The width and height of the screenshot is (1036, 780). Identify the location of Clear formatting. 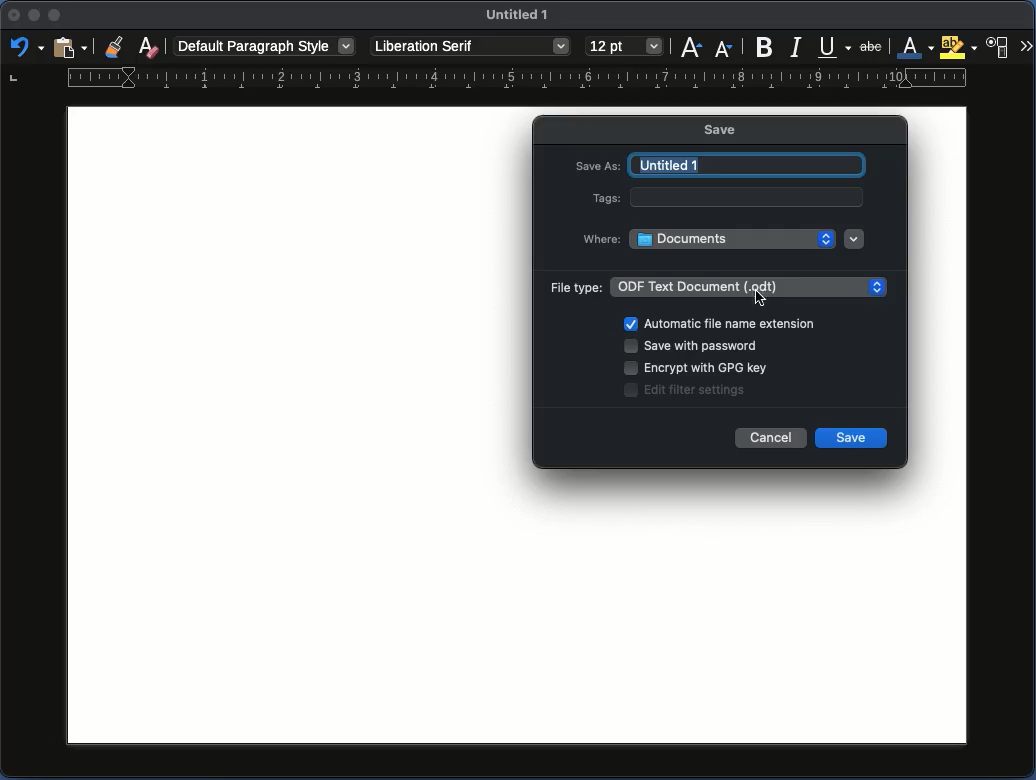
(148, 45).